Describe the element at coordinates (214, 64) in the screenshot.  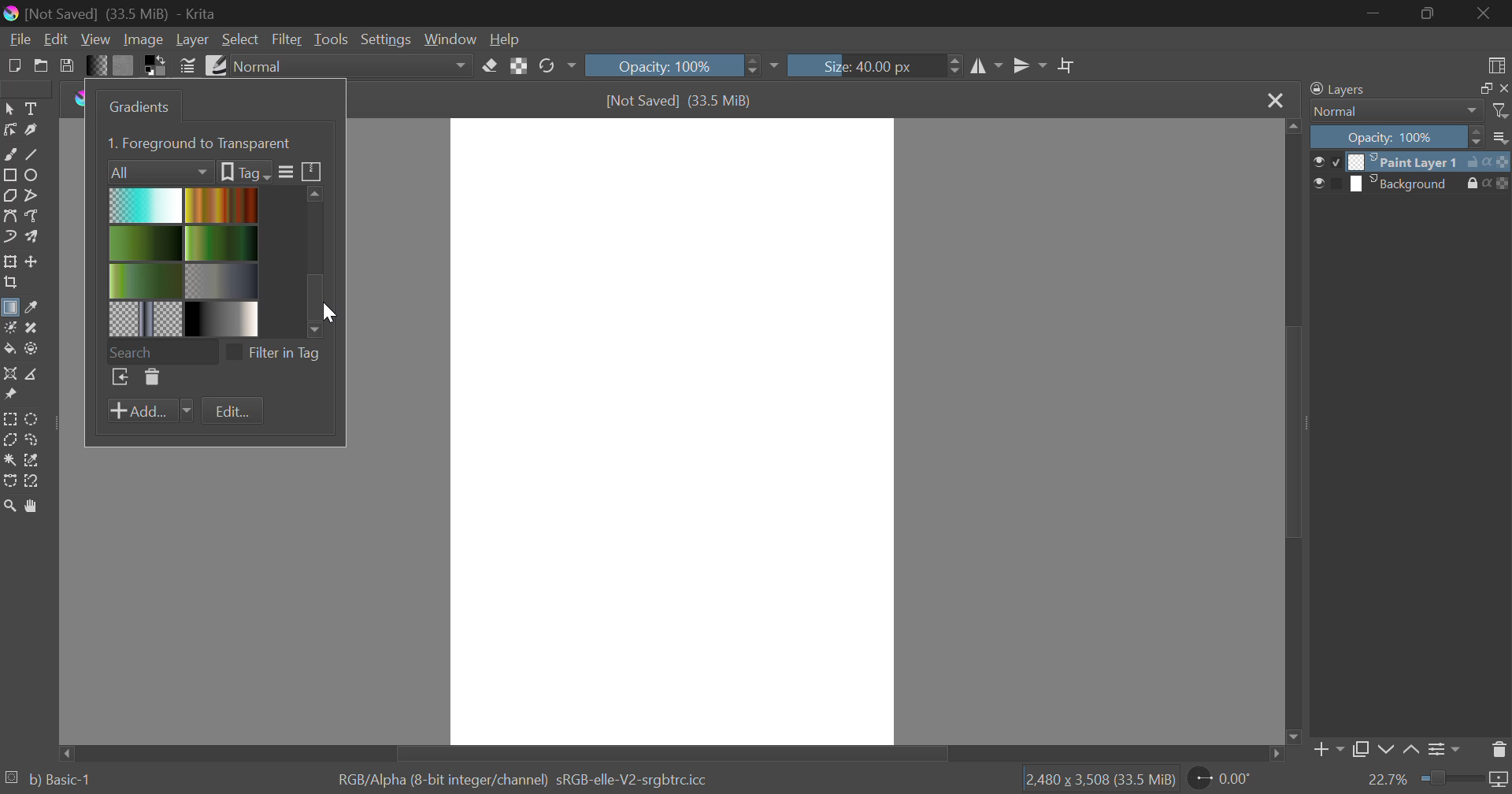
I see `Brush Presets` at that location.